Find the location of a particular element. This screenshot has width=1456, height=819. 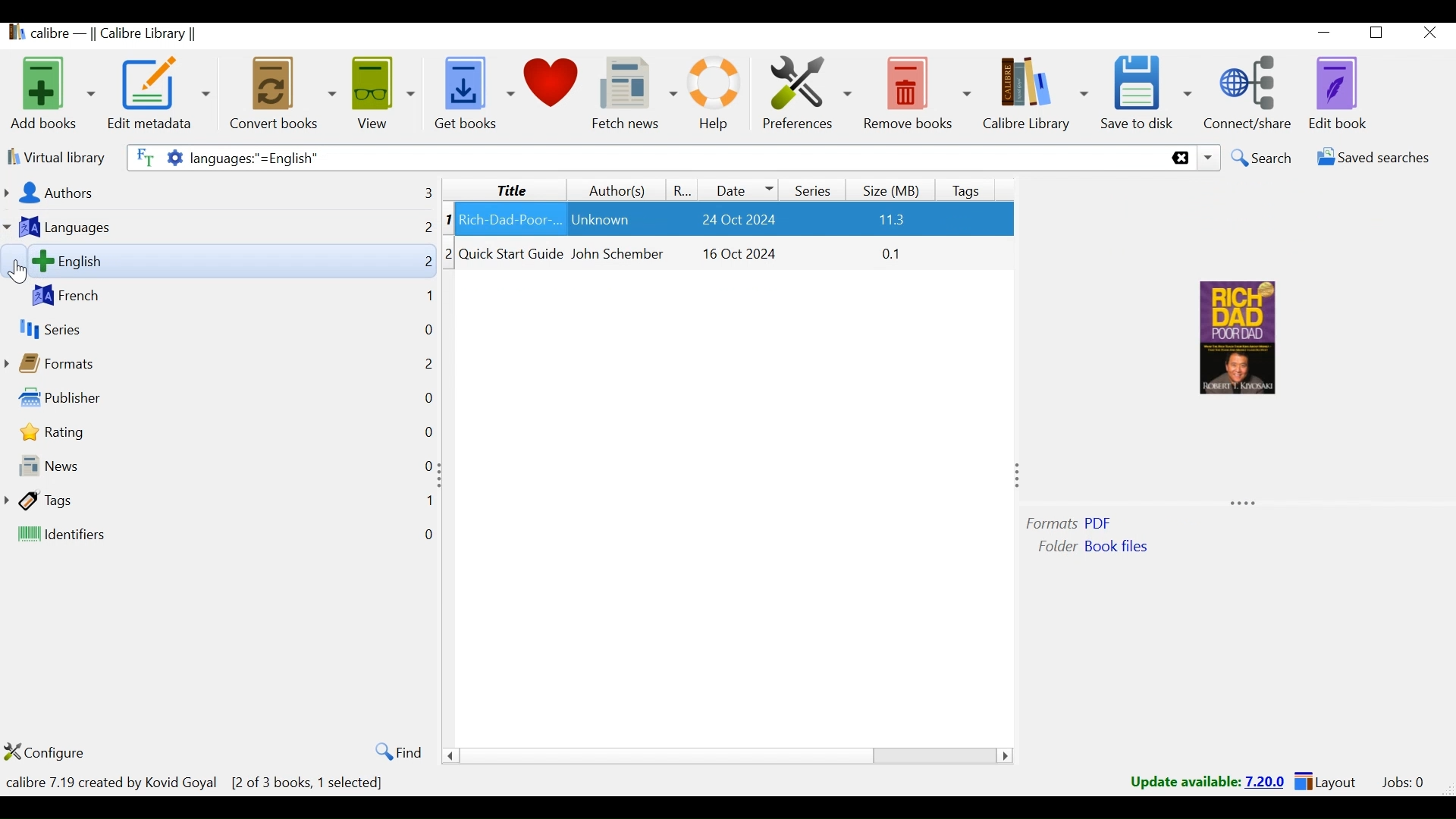

0: is located at coordinates (425, 467).